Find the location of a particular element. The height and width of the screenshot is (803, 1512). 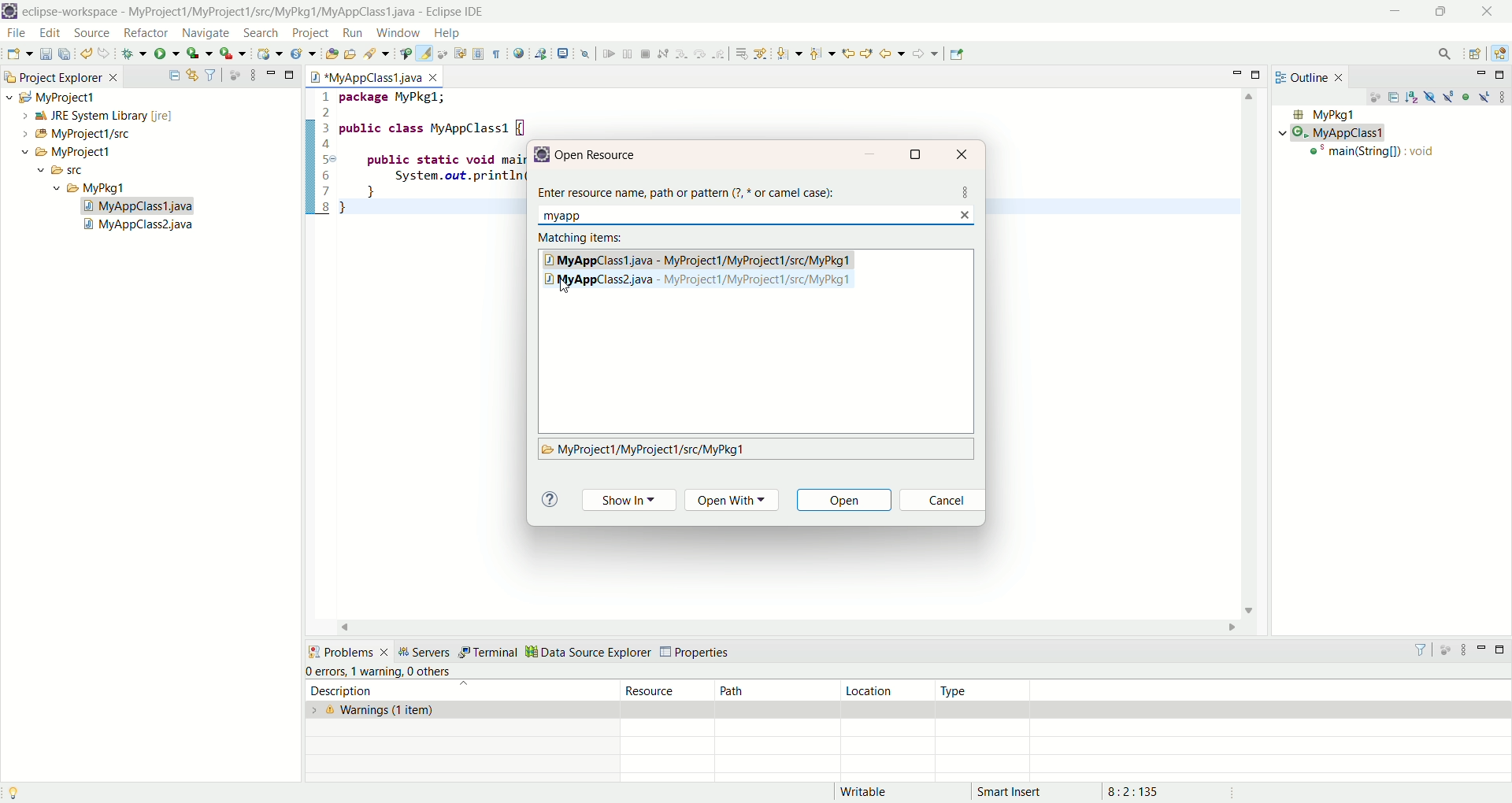

help is located at coordinates (446, 34).